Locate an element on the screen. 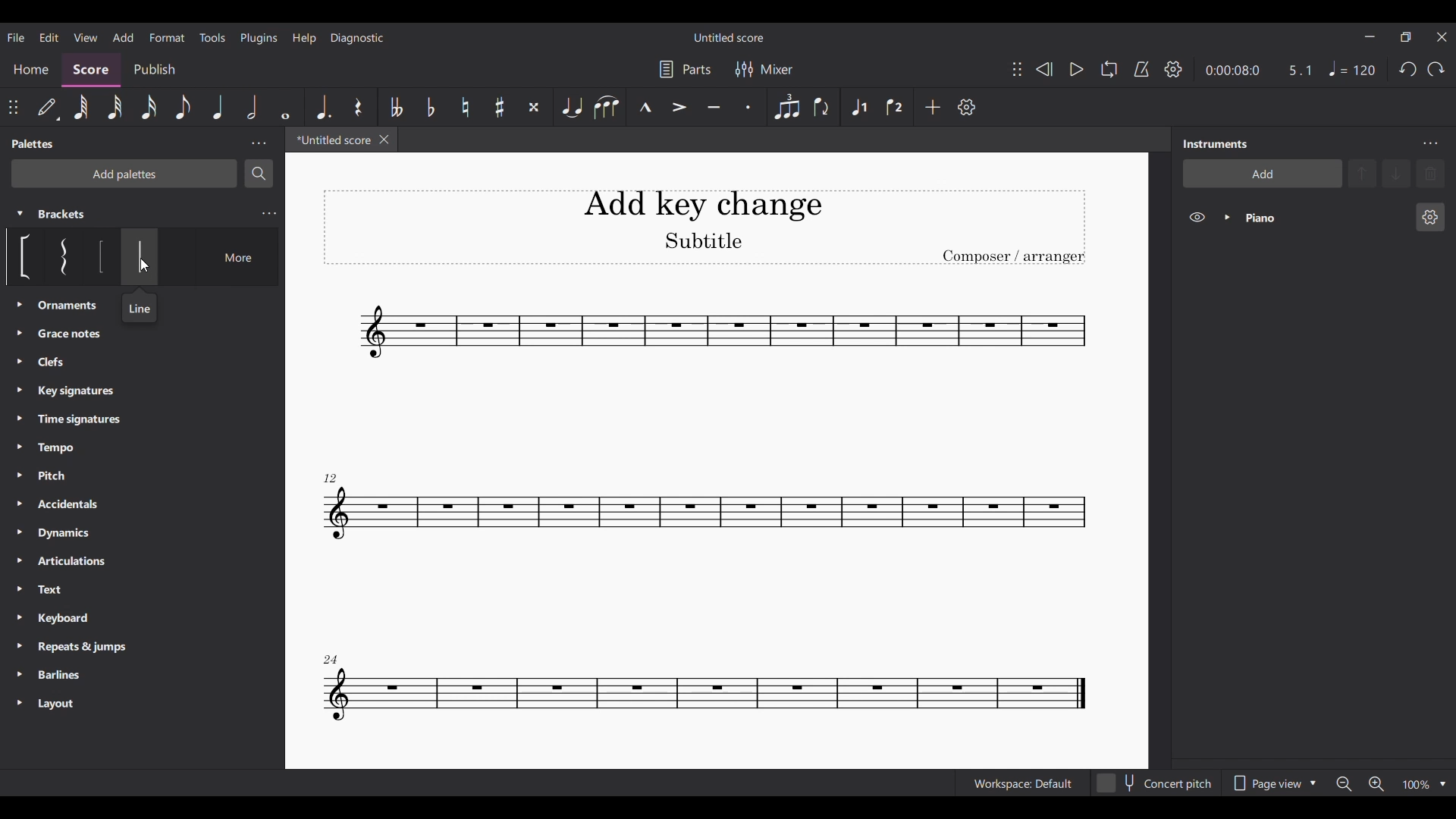  Piano settings is located at coordinates (1431, 217).